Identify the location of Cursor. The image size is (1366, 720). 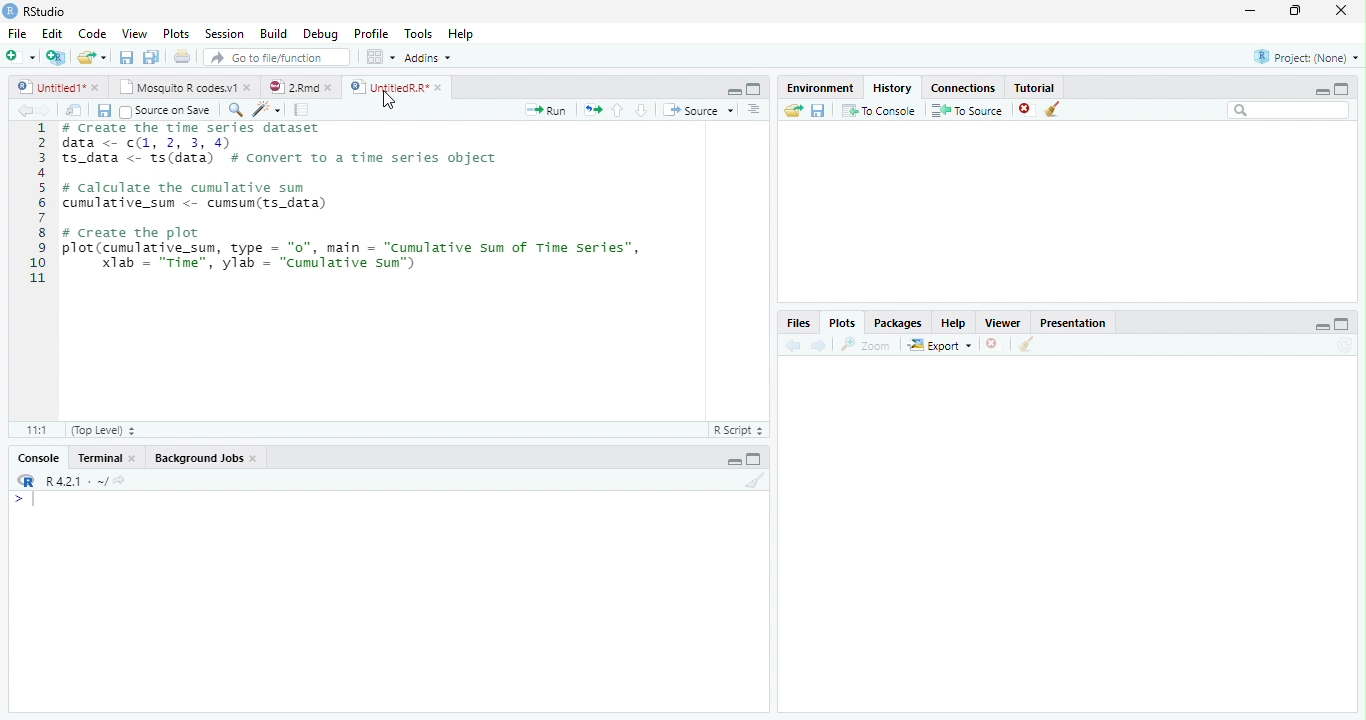
(388, 100).